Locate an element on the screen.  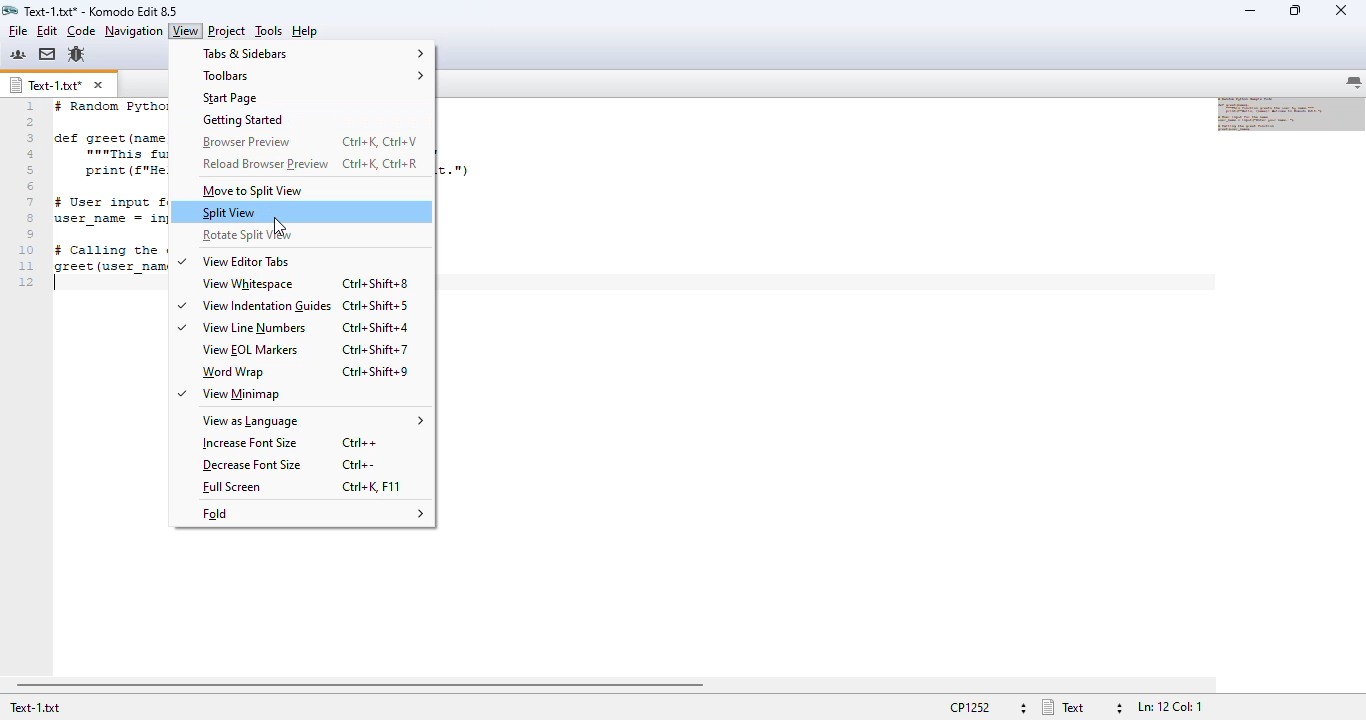
cursor is located at coordinates (279, 226).